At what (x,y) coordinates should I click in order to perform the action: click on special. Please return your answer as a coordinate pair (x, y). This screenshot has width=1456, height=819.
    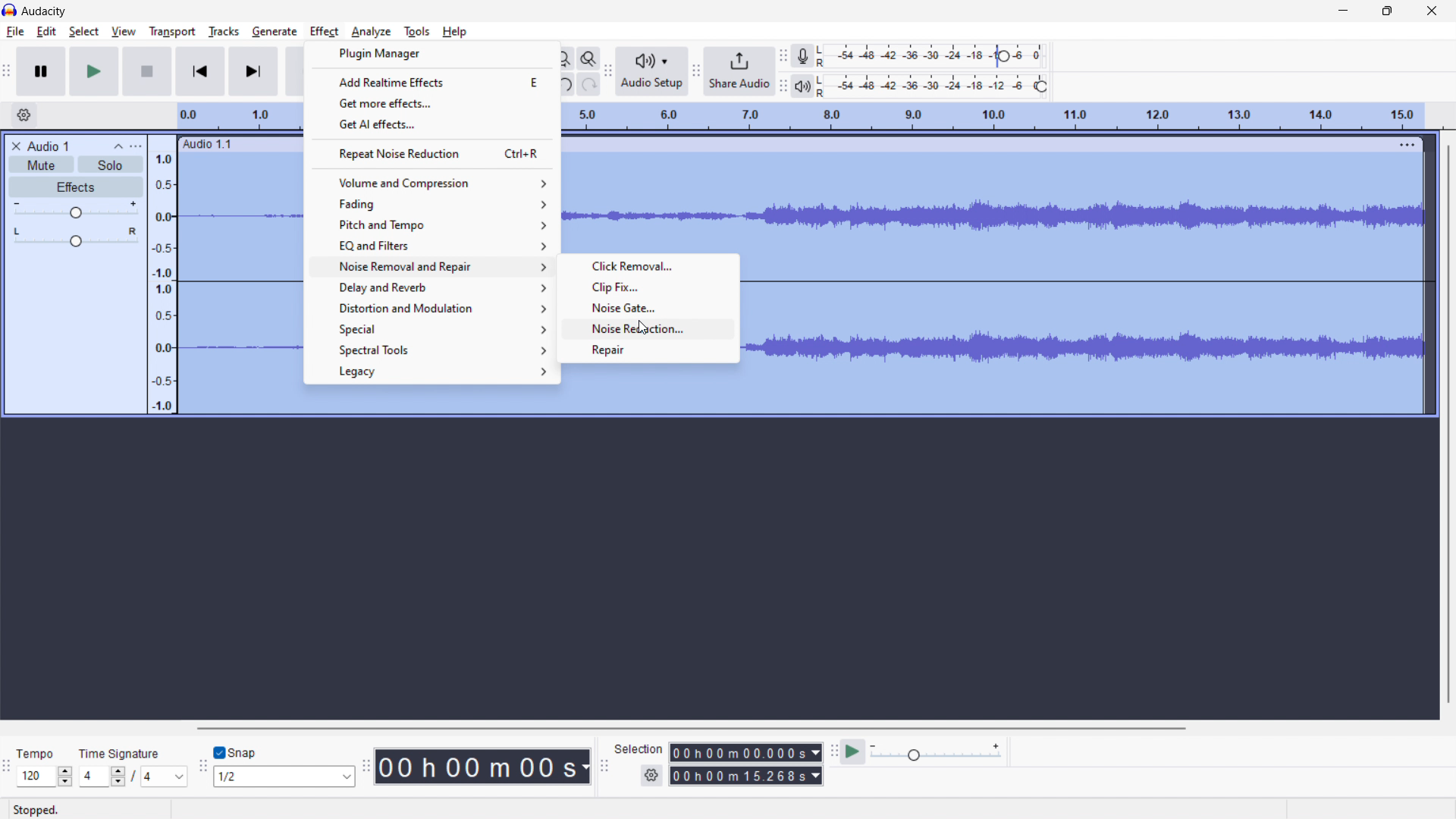
    Looking at the image, I should click on (428, 330).